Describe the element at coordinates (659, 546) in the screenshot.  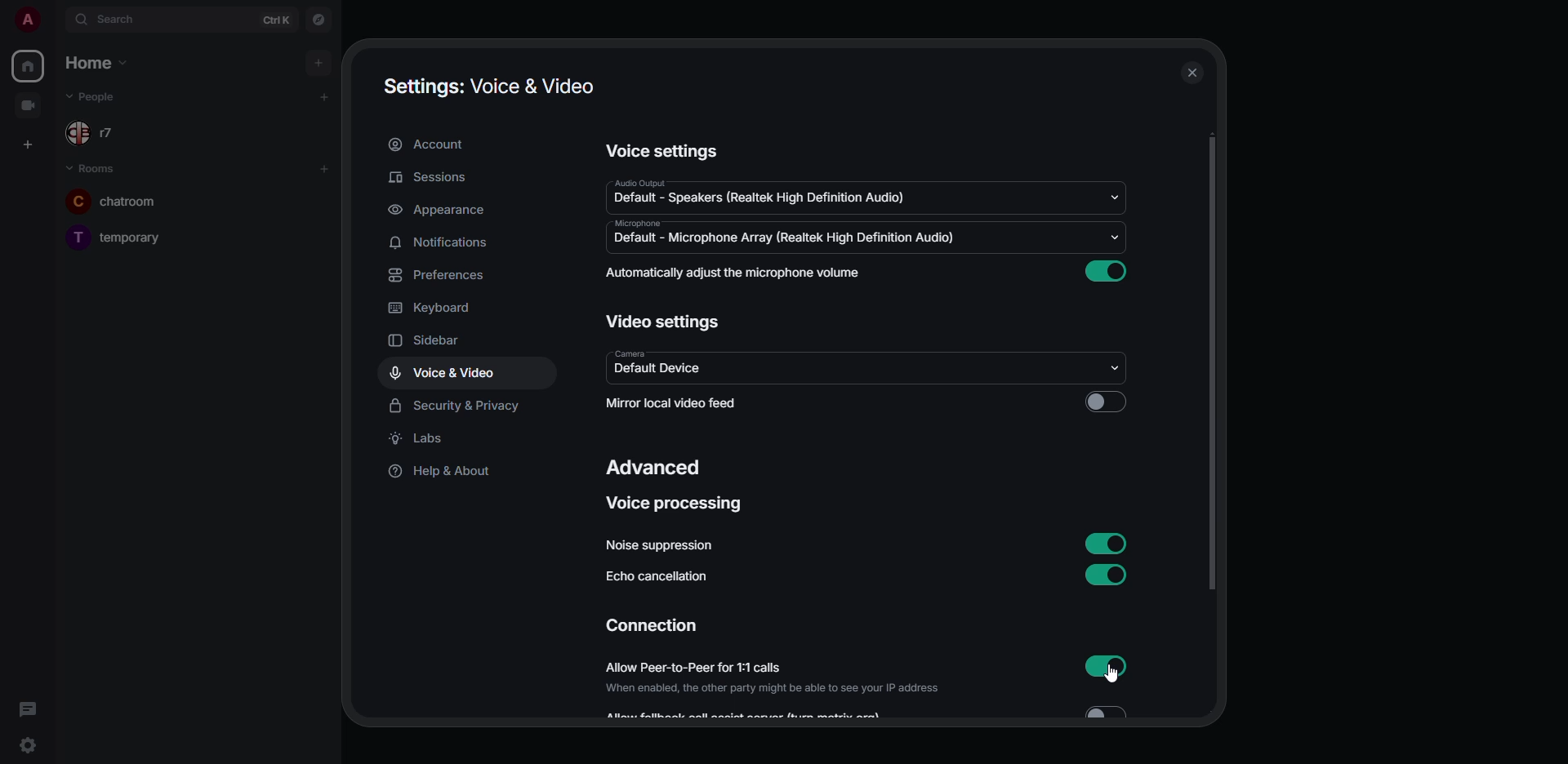
I see `noise suppression` at that location.